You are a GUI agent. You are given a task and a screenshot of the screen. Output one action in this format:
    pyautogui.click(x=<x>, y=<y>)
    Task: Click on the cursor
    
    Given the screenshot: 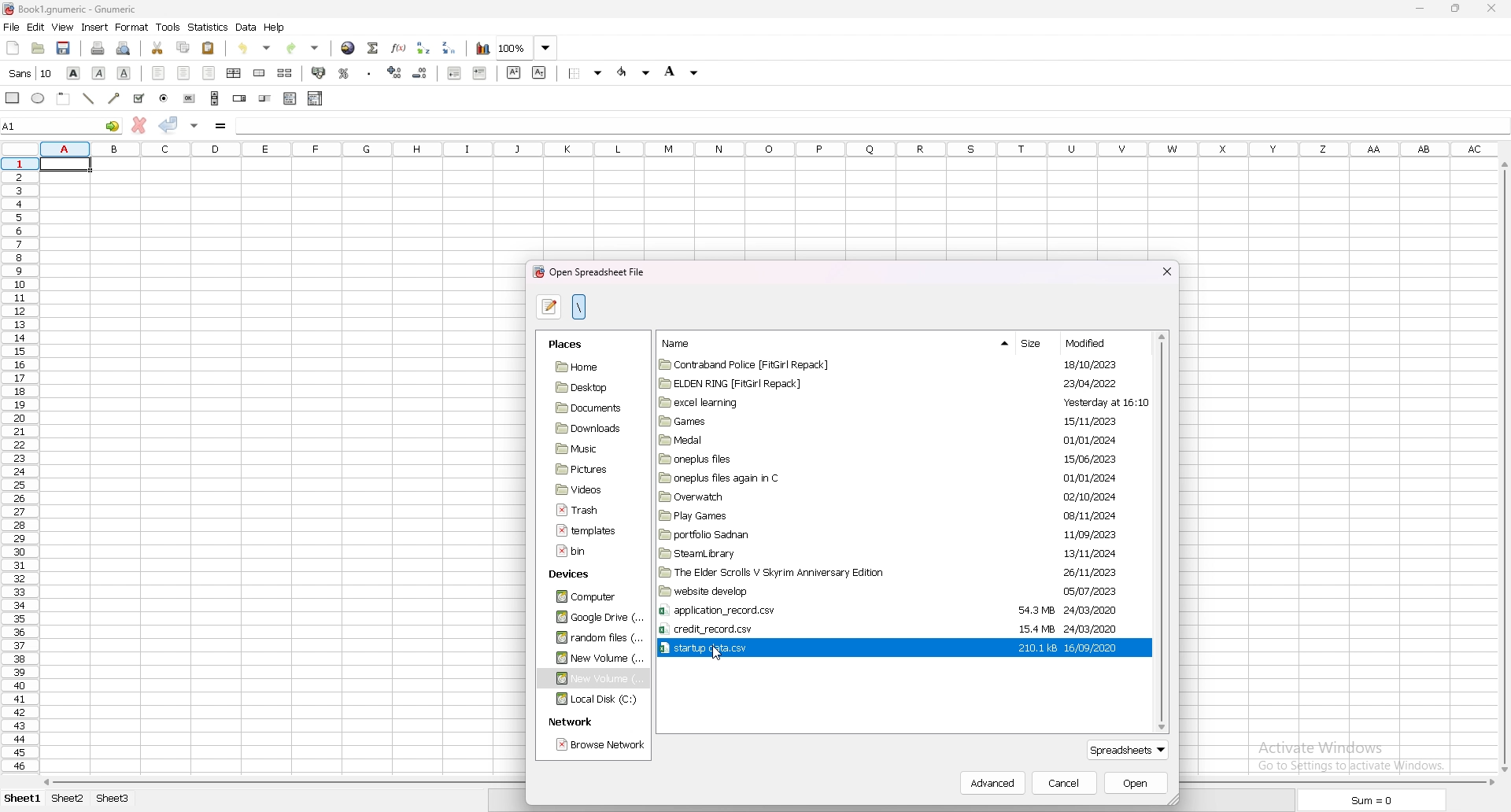 What is the action you would take?
    pyautogui.click(x=719, y=655)
    